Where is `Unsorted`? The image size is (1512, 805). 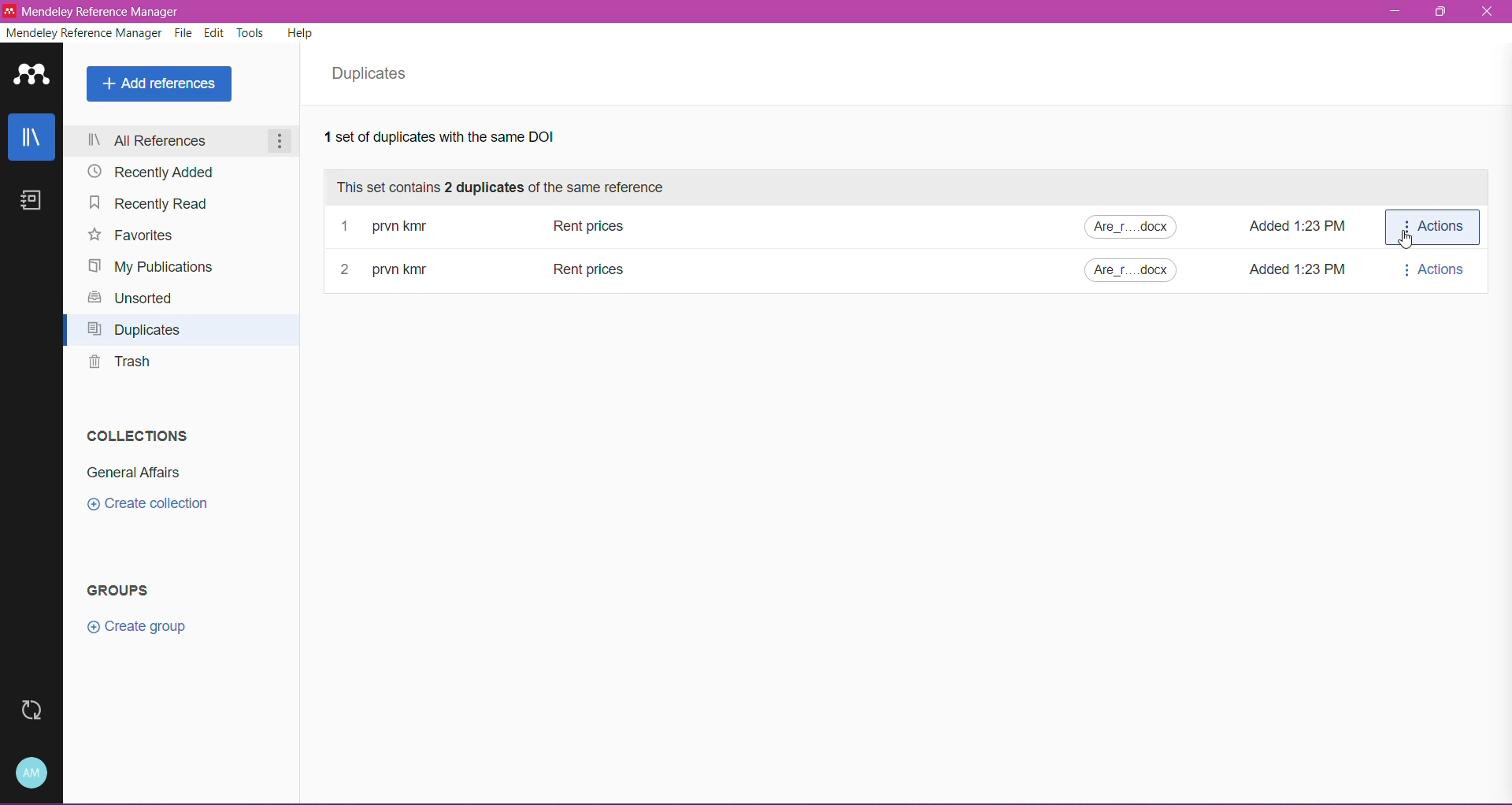
Unsorted is located at coordinates (131, 299).